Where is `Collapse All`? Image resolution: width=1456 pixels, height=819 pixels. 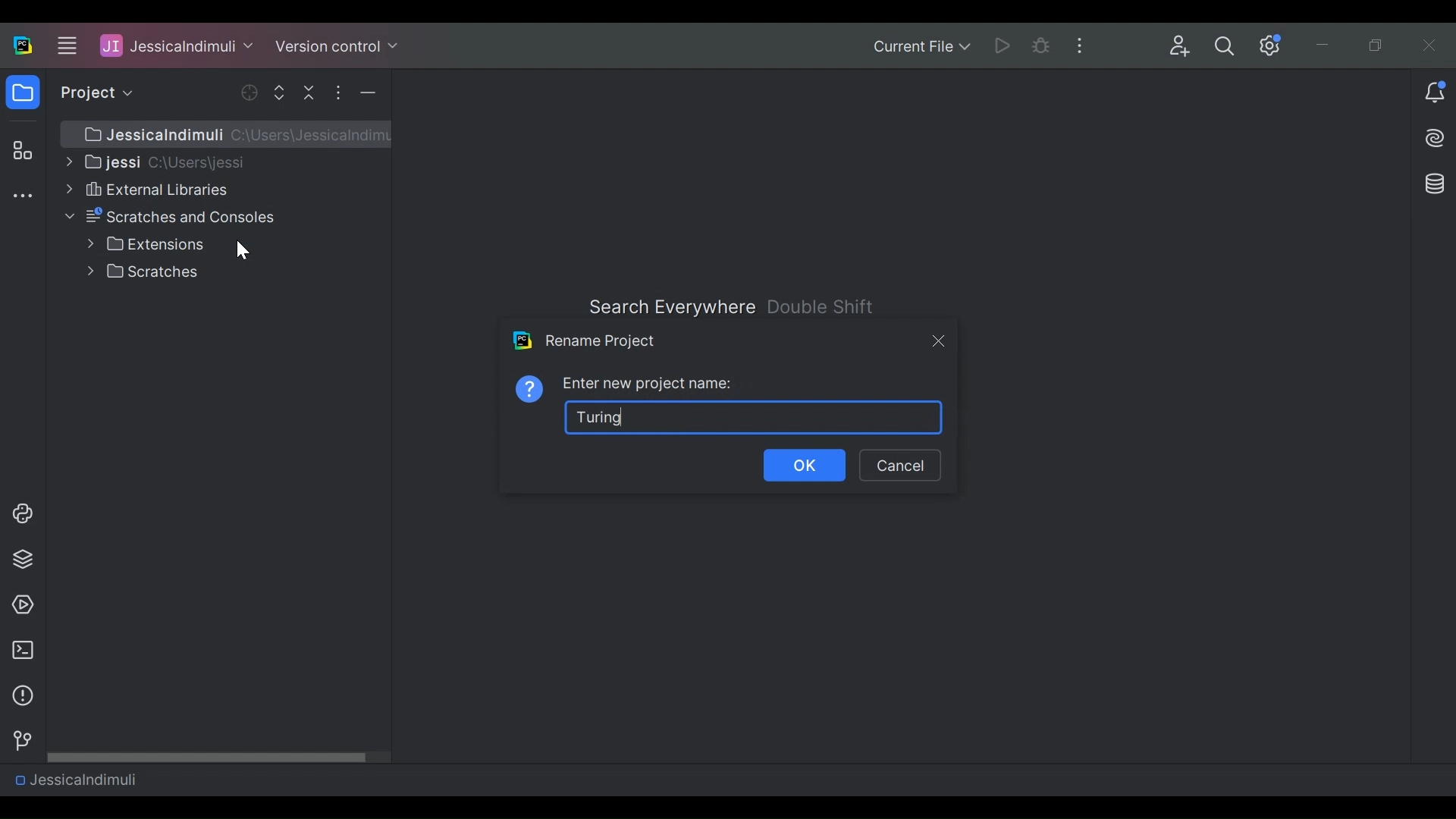 Collapse All is located at coordinates (311, 92).